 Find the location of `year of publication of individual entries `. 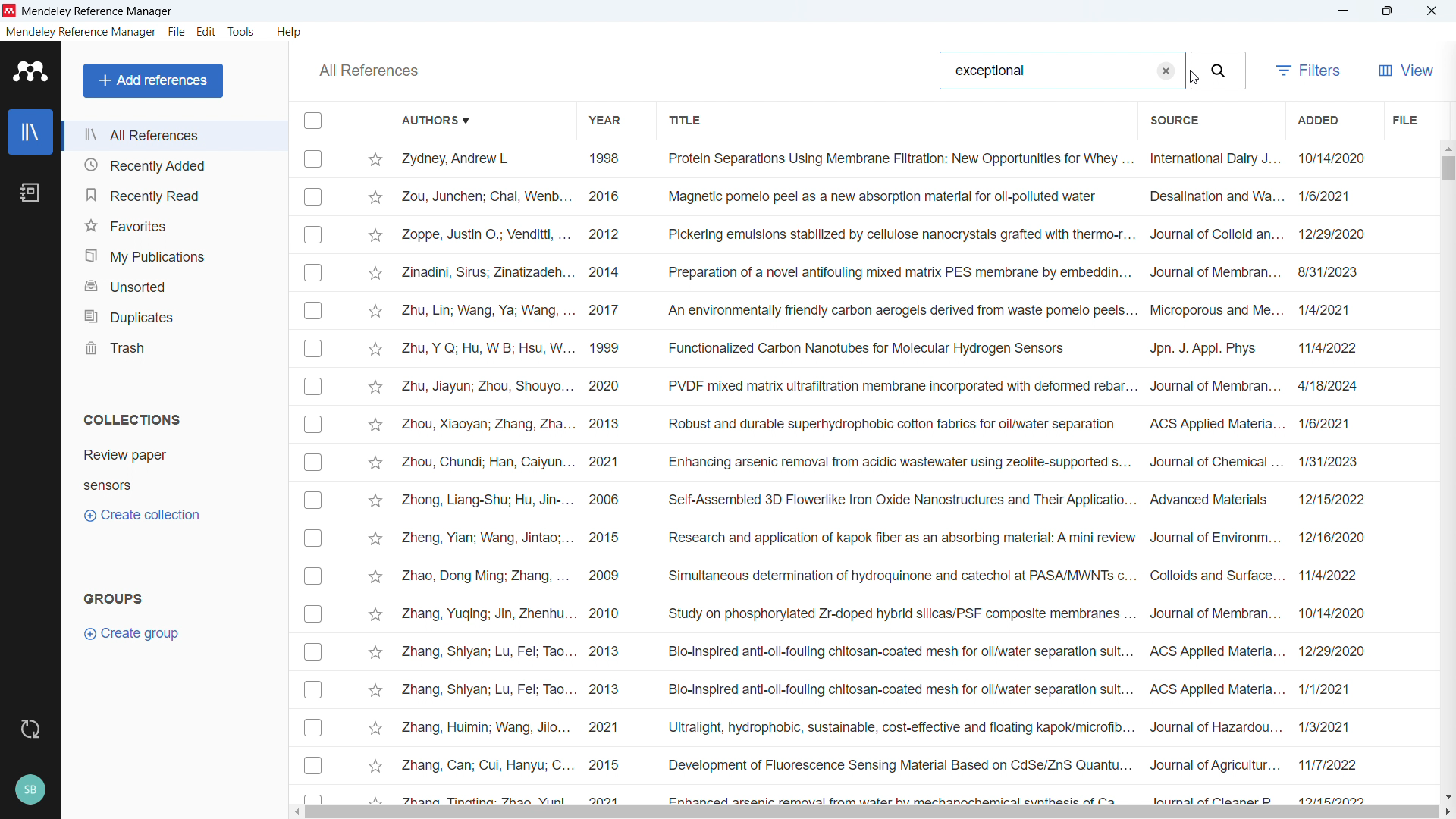

year of publication of individual entries  is located at coordinates (604, 475).